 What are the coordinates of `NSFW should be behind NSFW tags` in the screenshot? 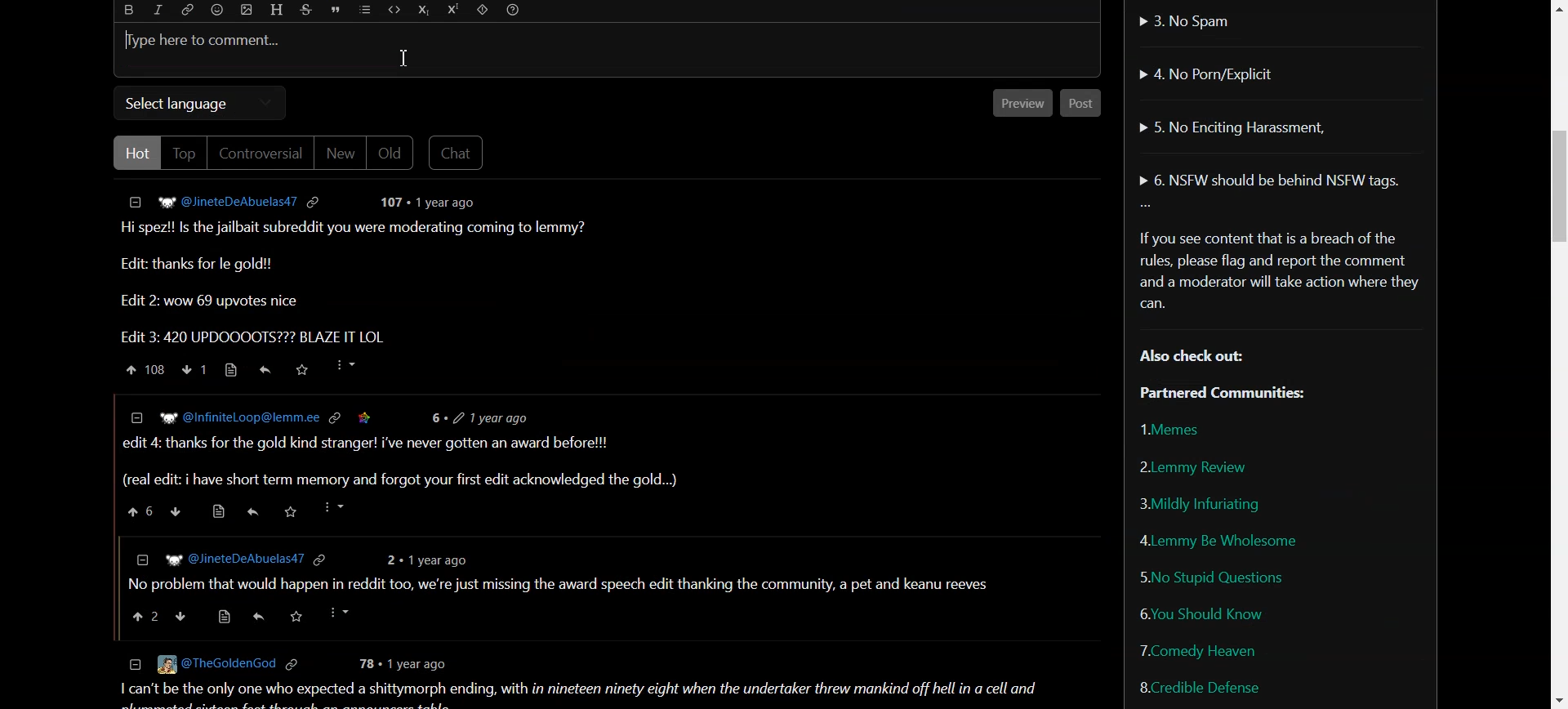 It's located at (1273, 181).